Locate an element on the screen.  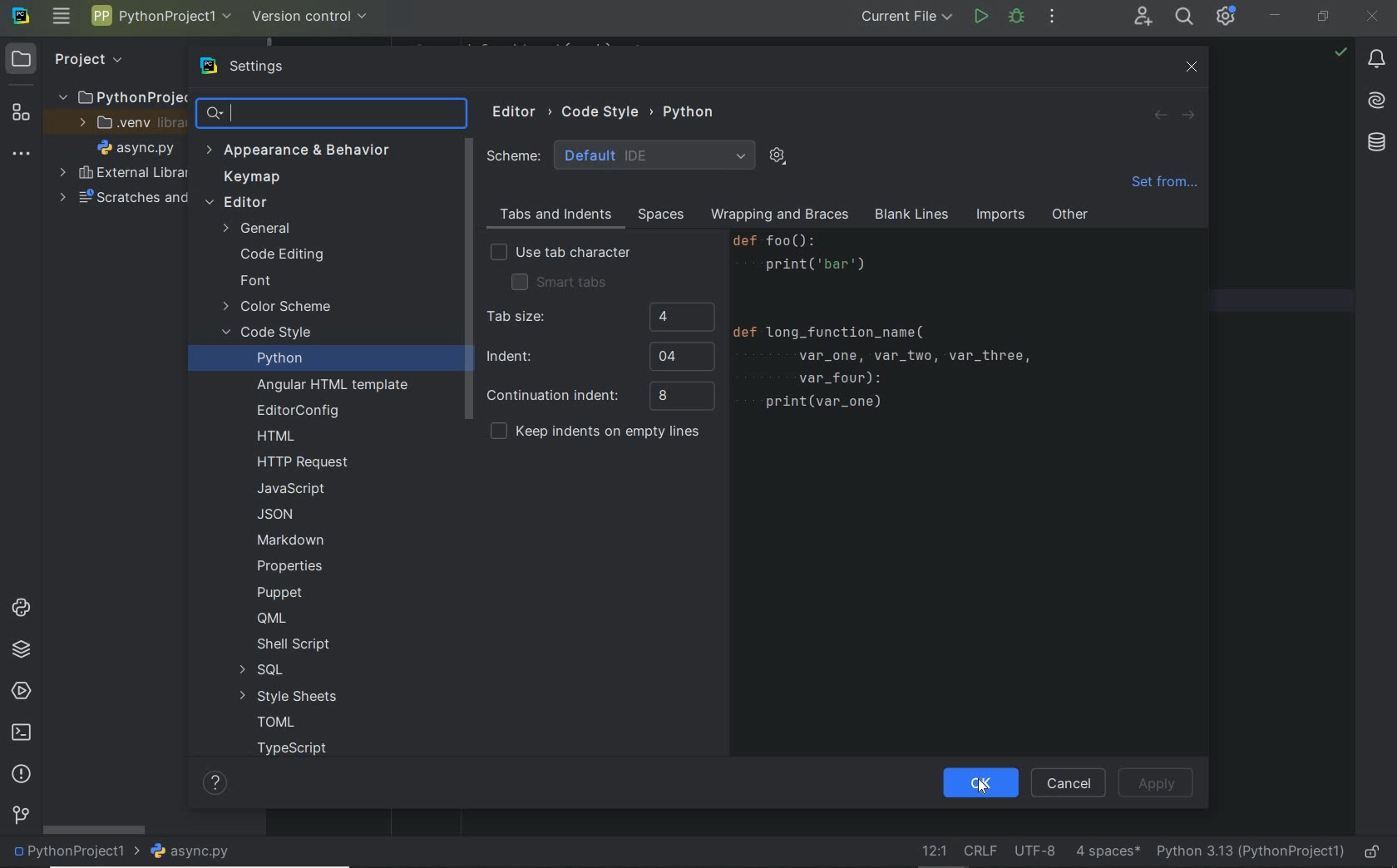
HTTP REQUEST is located at coordinates (305, 462).